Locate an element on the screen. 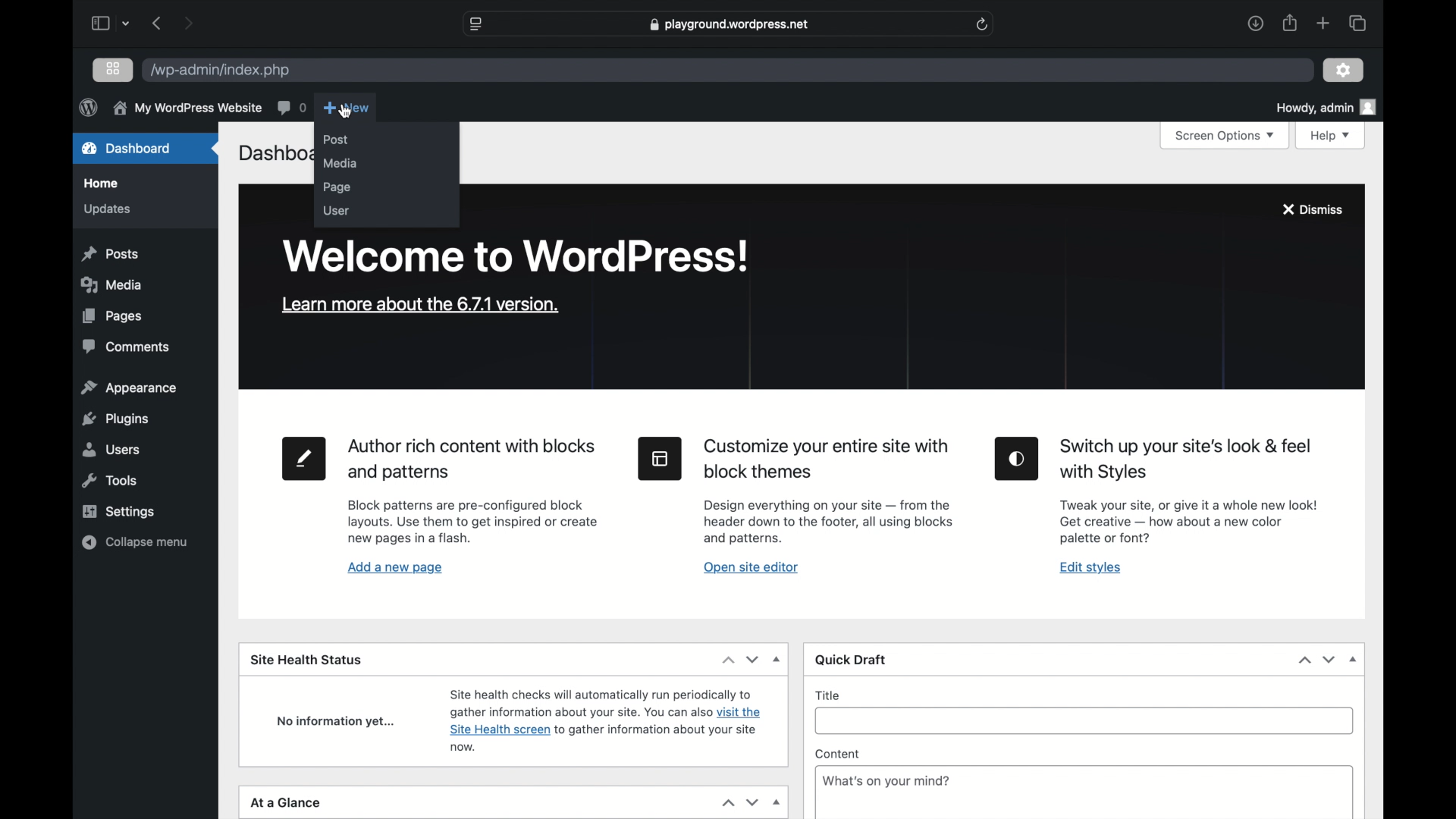 The image size is (1456, 819). settings is located at coordinates (118, 511).